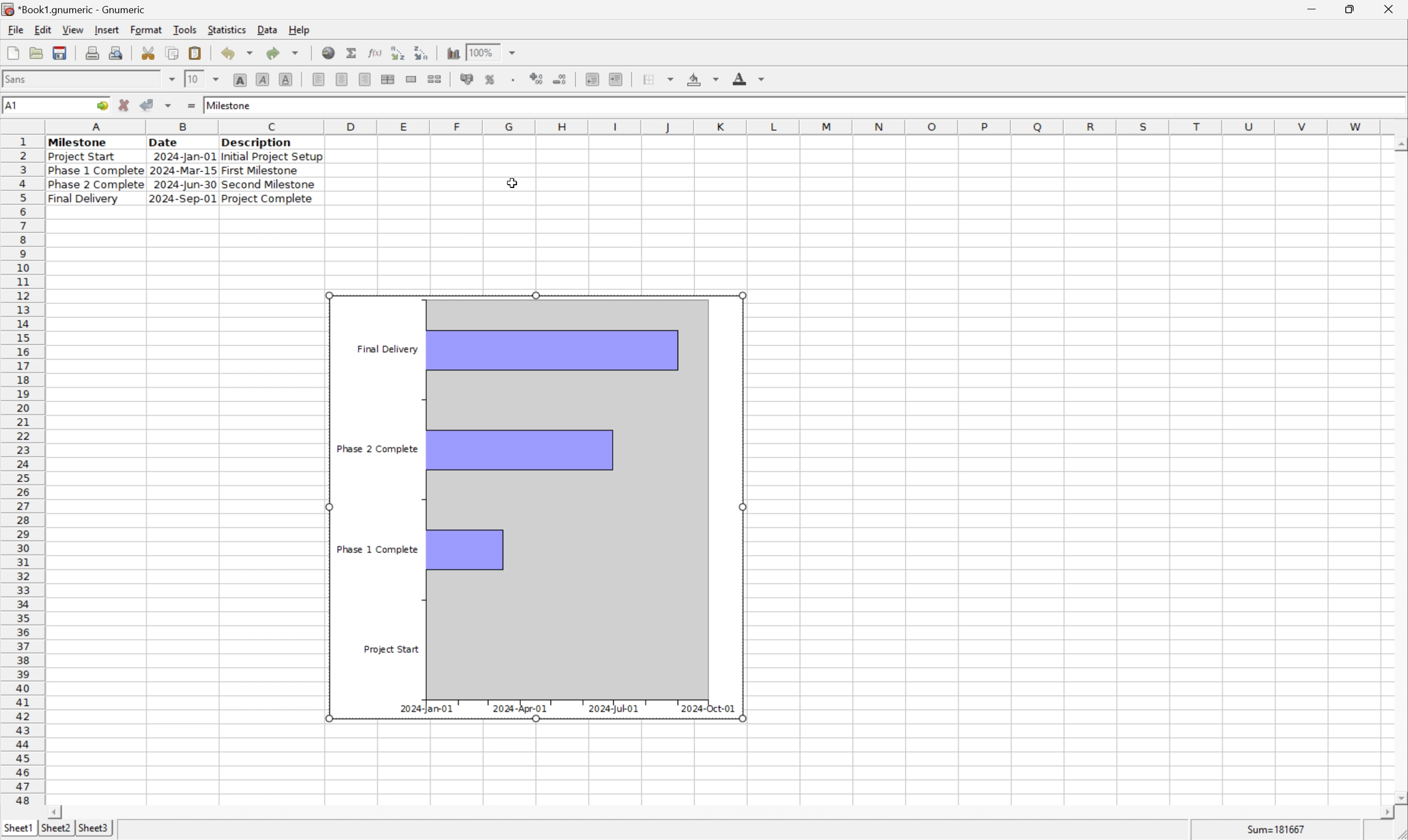  Describe the element at coordinates (1399, 470) in the screenshot. I see `scroll bar` at that location.